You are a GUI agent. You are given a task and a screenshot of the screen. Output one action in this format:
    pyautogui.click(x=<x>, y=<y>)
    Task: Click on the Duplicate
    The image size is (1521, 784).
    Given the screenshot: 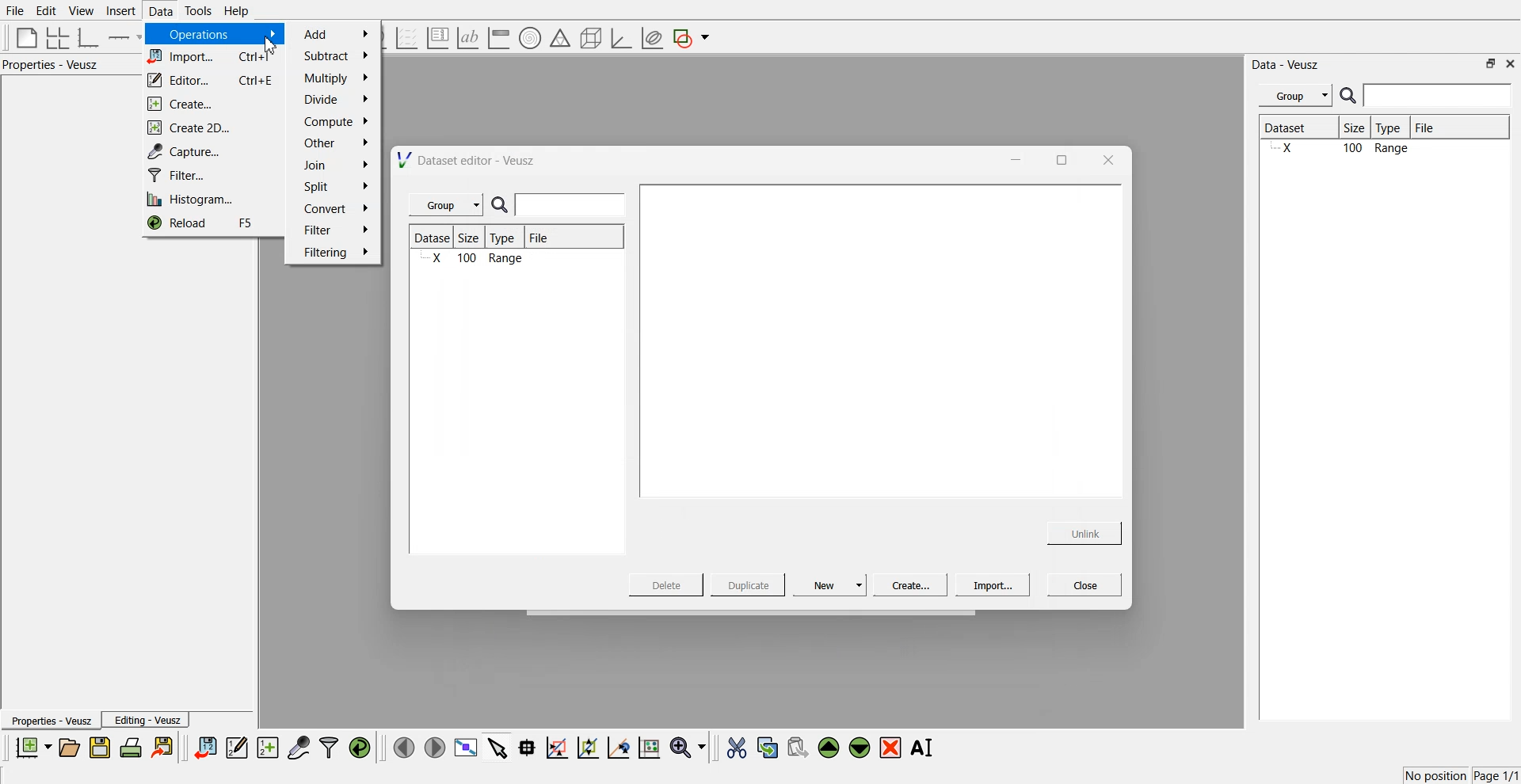 What is the action you would take?
    pyautogui.click(x=748, y=586)
    